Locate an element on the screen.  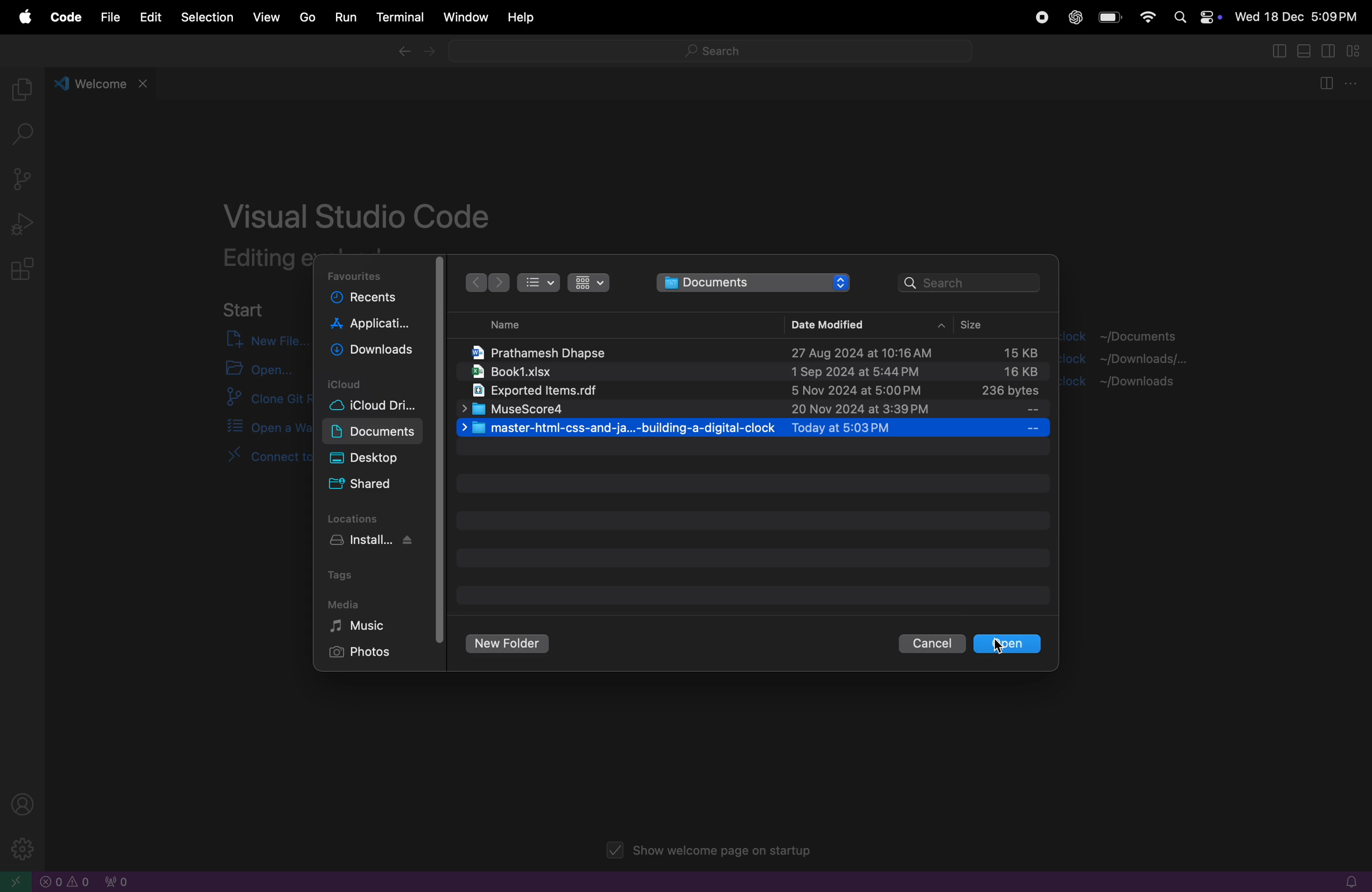
battery is located at coordinates (1110, 18).